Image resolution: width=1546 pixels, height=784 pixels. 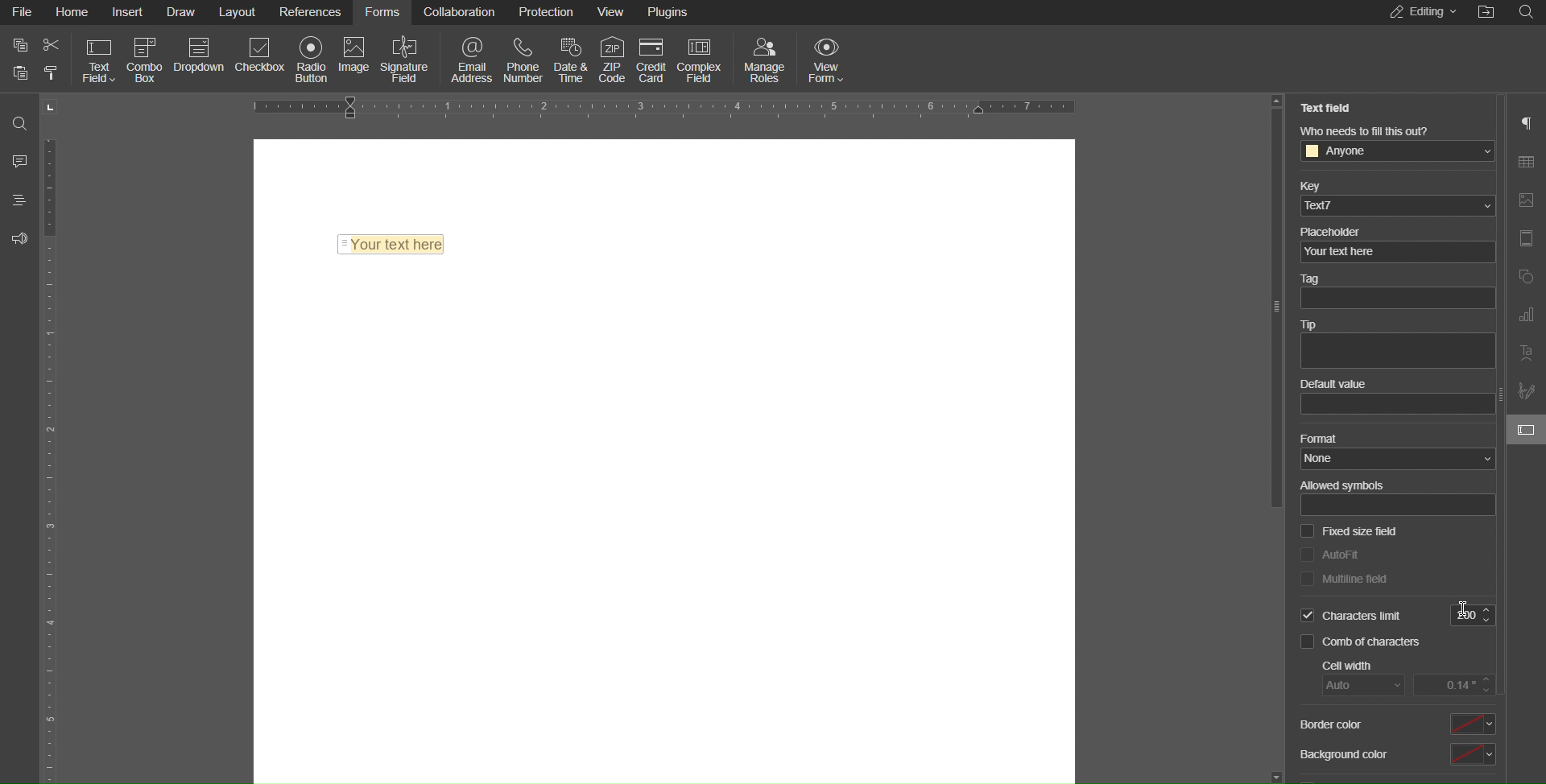 What do you see at coordinates (700, 56) in the screenshot?
I see `Complex Field` at bounding box center [700, 56].